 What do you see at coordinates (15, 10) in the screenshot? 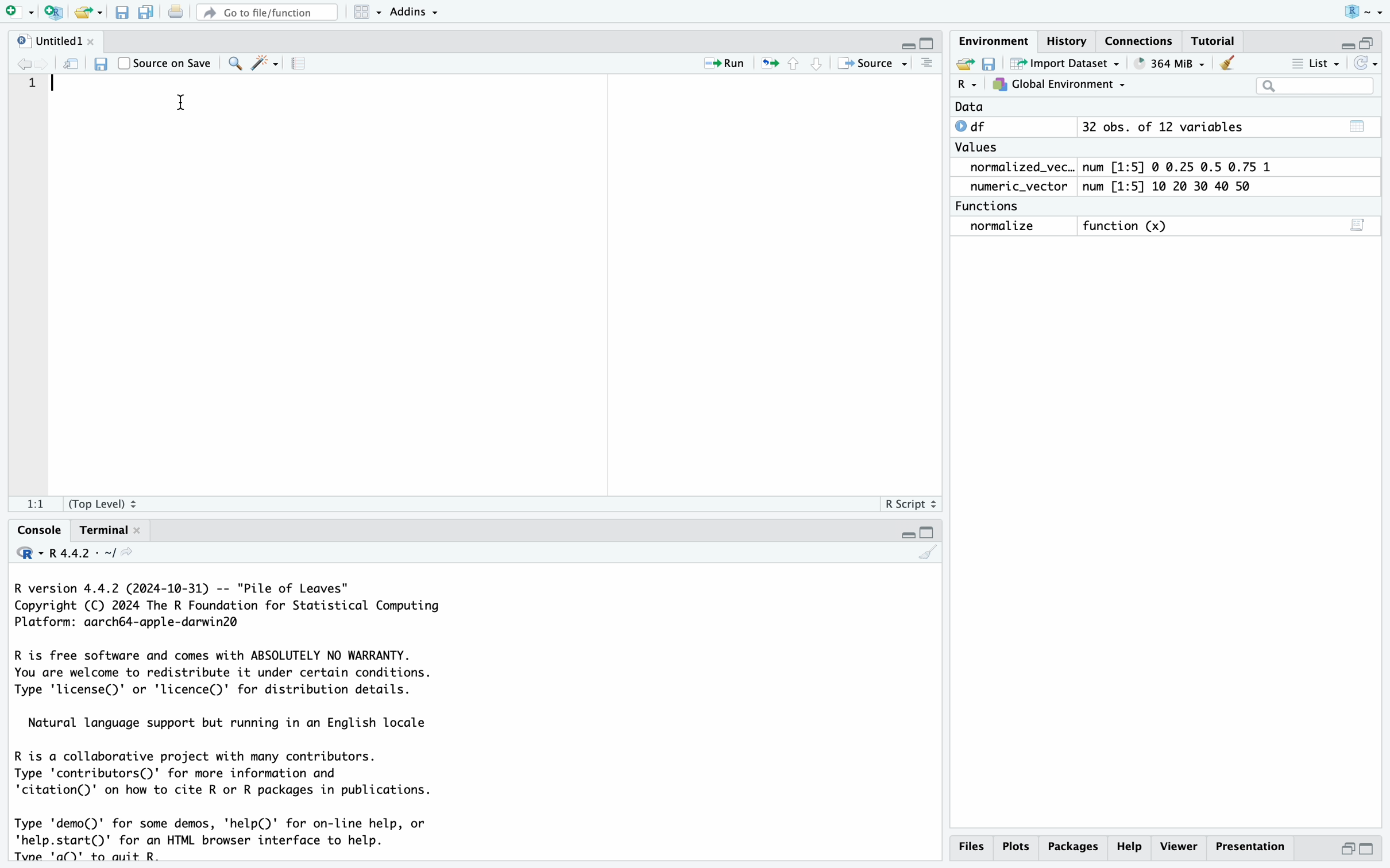
I see `New Page` at bounding box center [15, 10].